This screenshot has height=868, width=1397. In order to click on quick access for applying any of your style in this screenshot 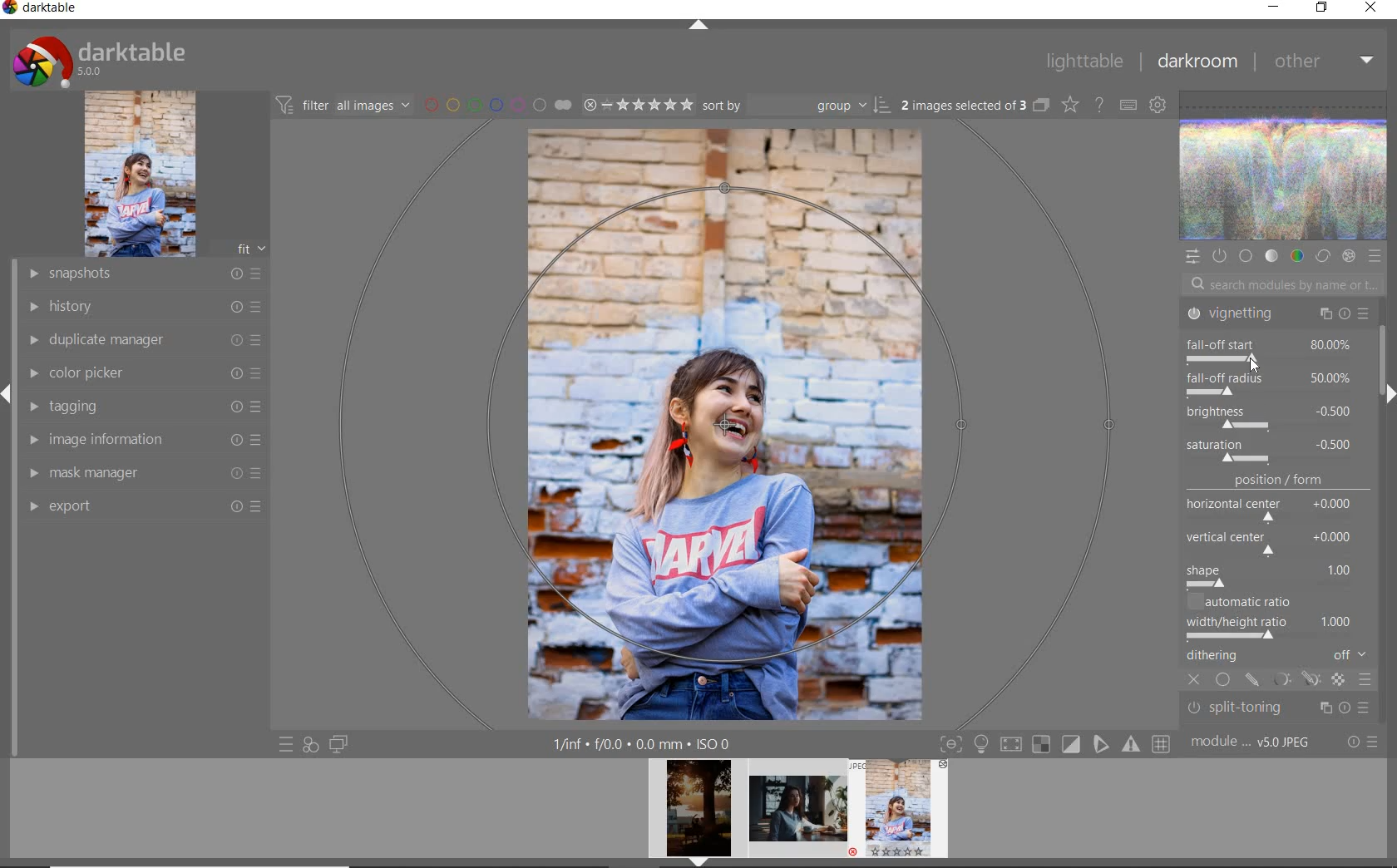, I will do `click(309, 744)`.